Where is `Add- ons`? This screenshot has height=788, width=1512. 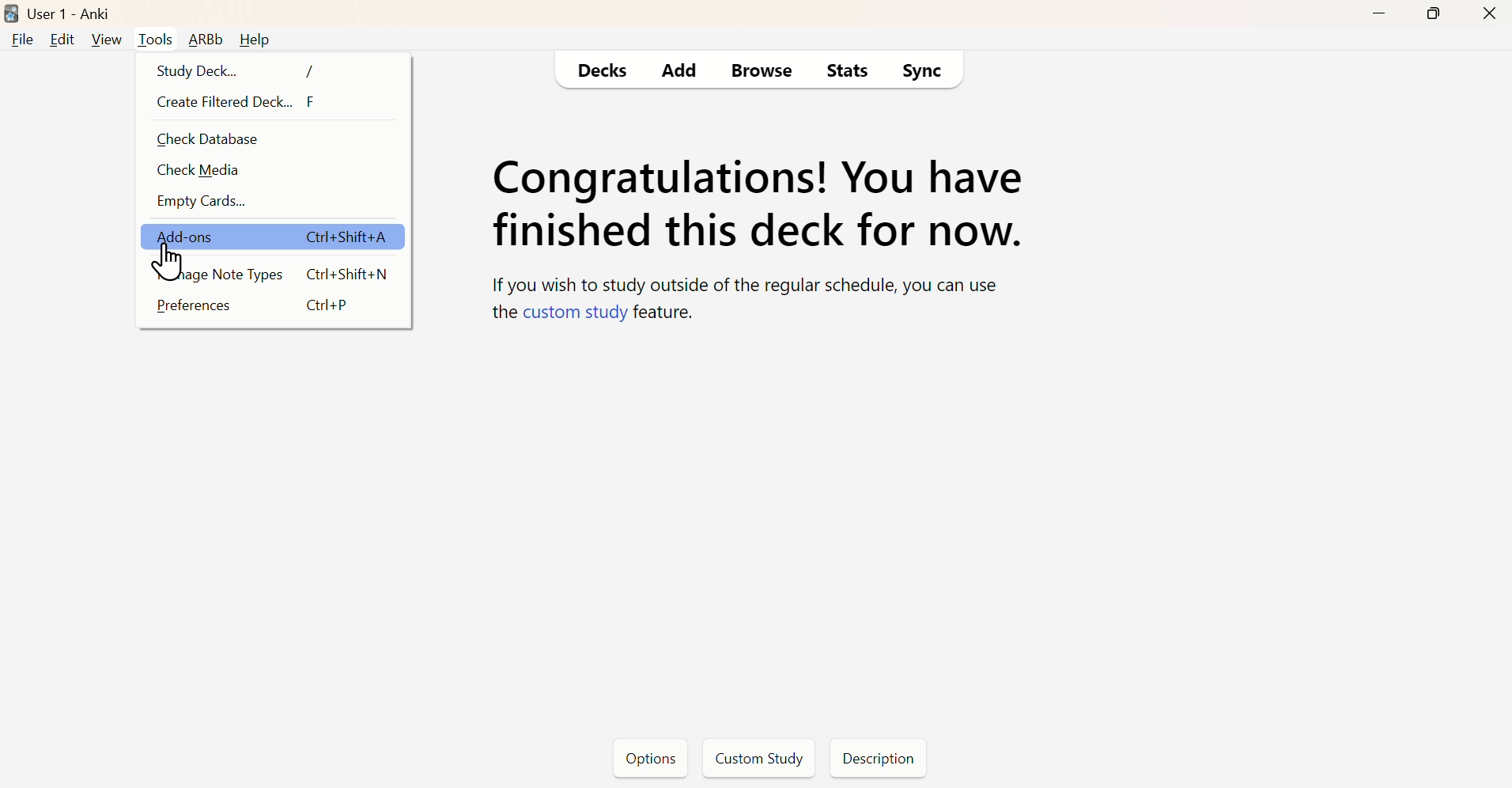
Add- ons is located at coordinates (269, 237).